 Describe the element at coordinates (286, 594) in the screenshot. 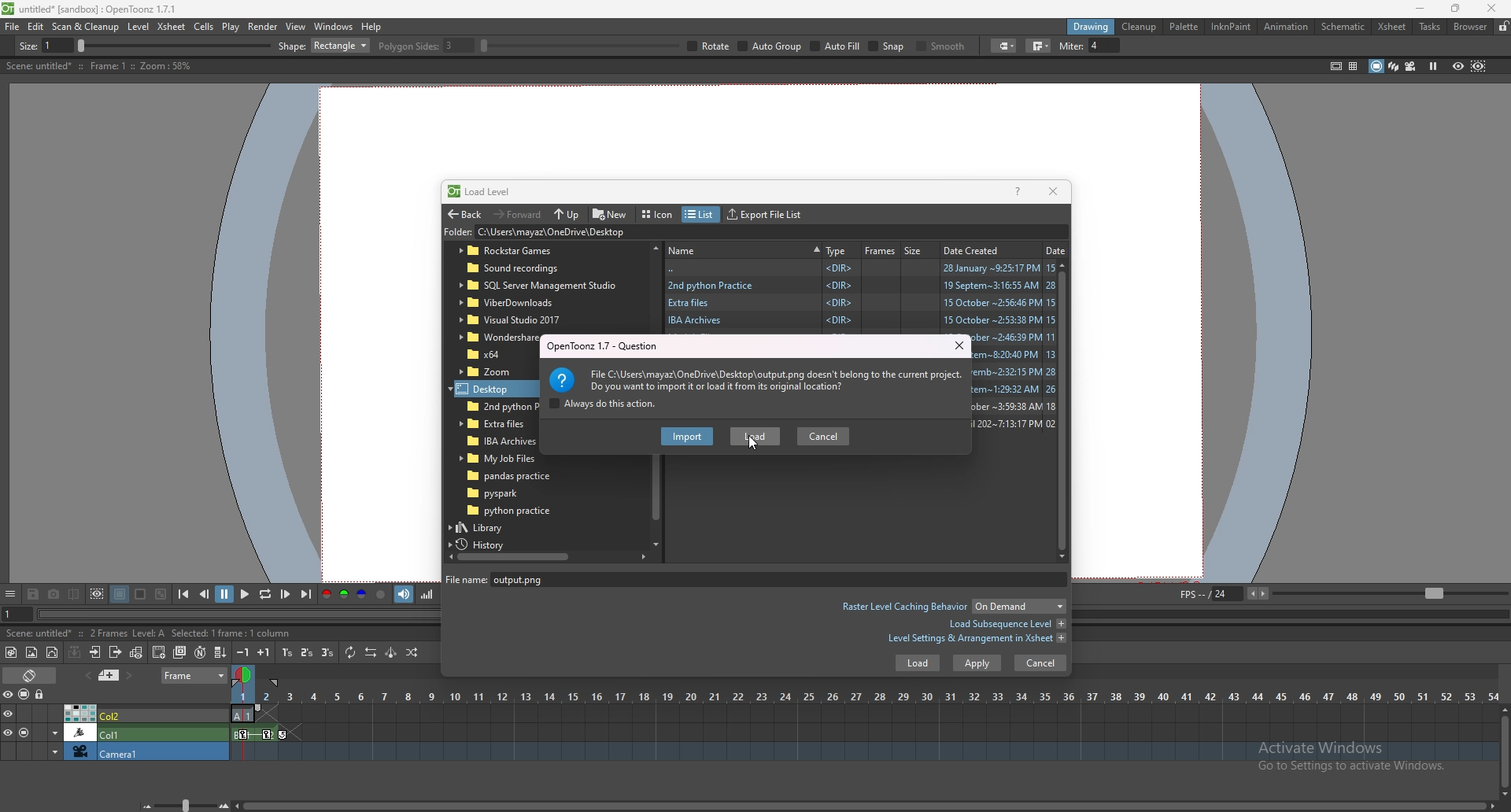

I see `next frame` at that location.